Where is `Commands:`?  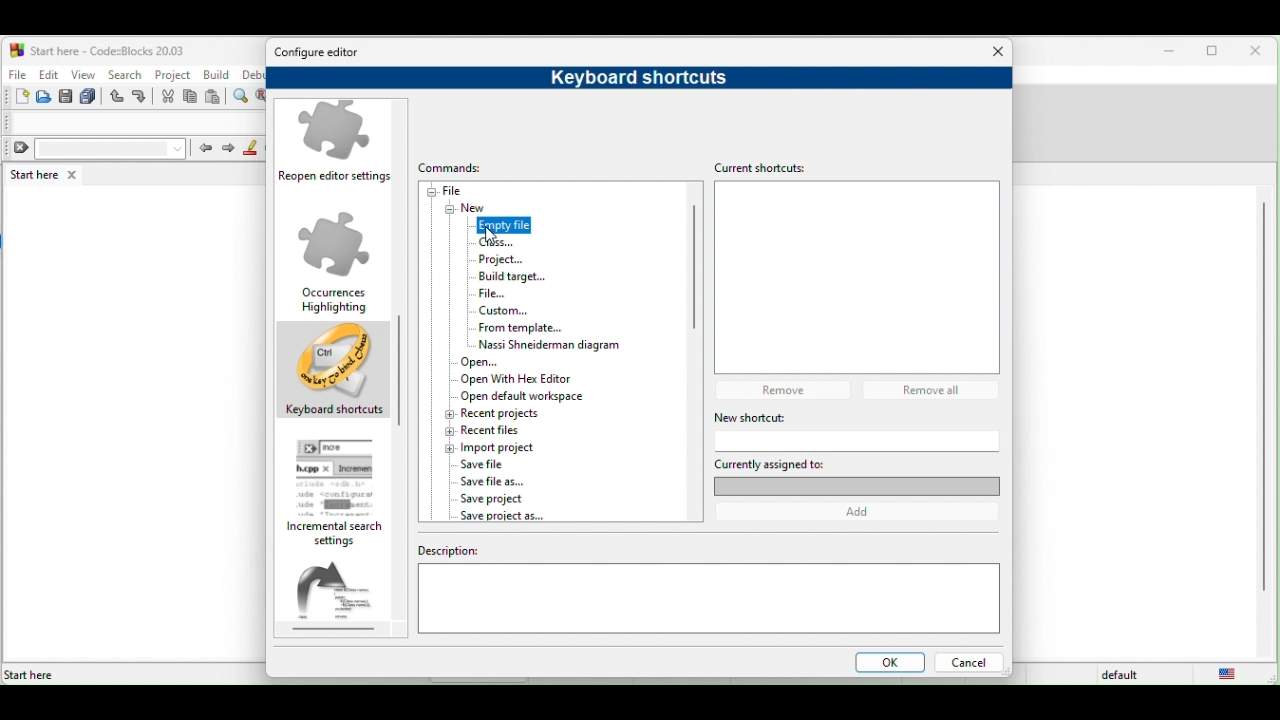 Commands: is located at coordinates (460, 168).